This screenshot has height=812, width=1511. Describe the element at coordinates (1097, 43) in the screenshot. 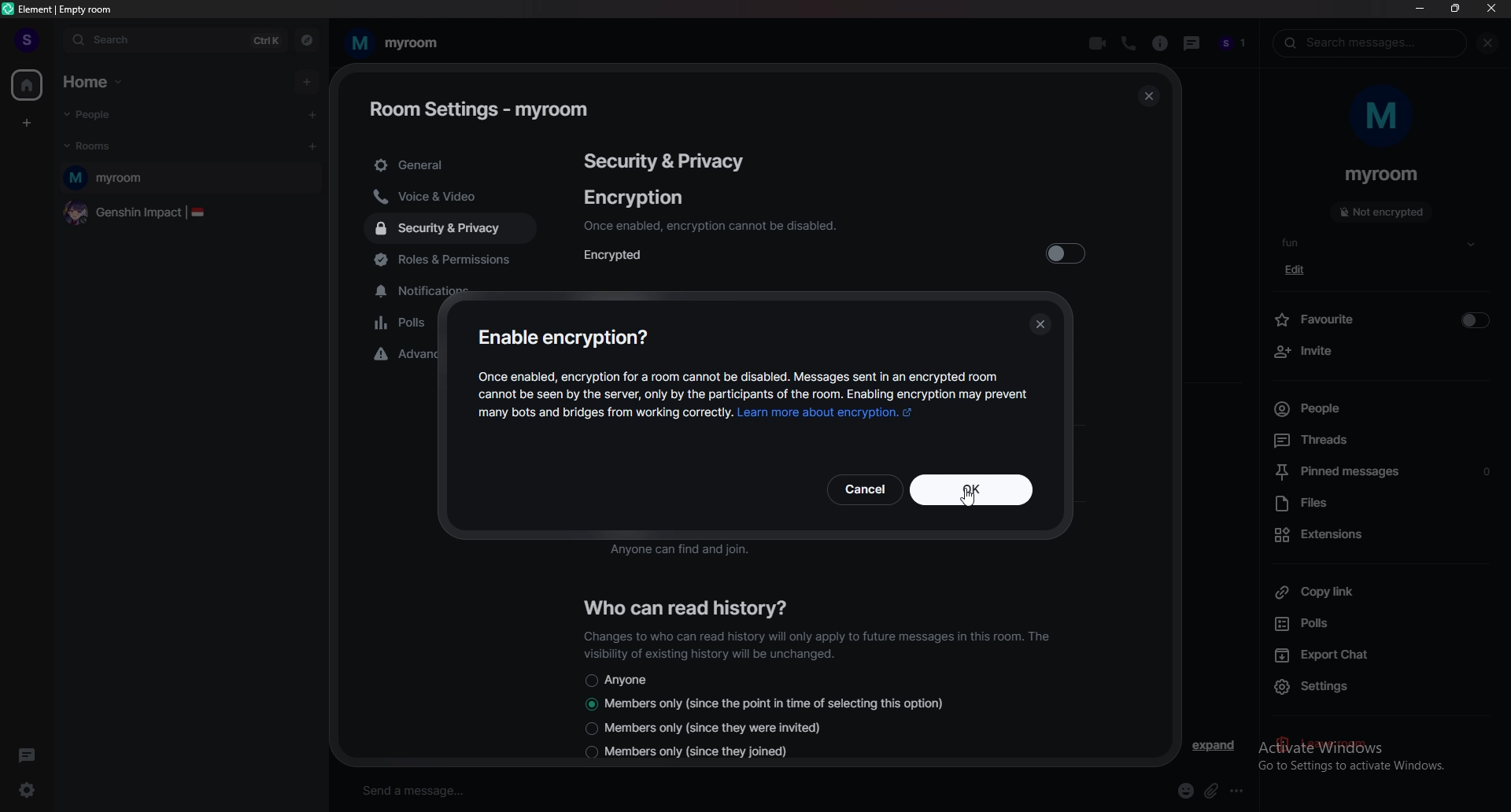

I see `video call` at that location.